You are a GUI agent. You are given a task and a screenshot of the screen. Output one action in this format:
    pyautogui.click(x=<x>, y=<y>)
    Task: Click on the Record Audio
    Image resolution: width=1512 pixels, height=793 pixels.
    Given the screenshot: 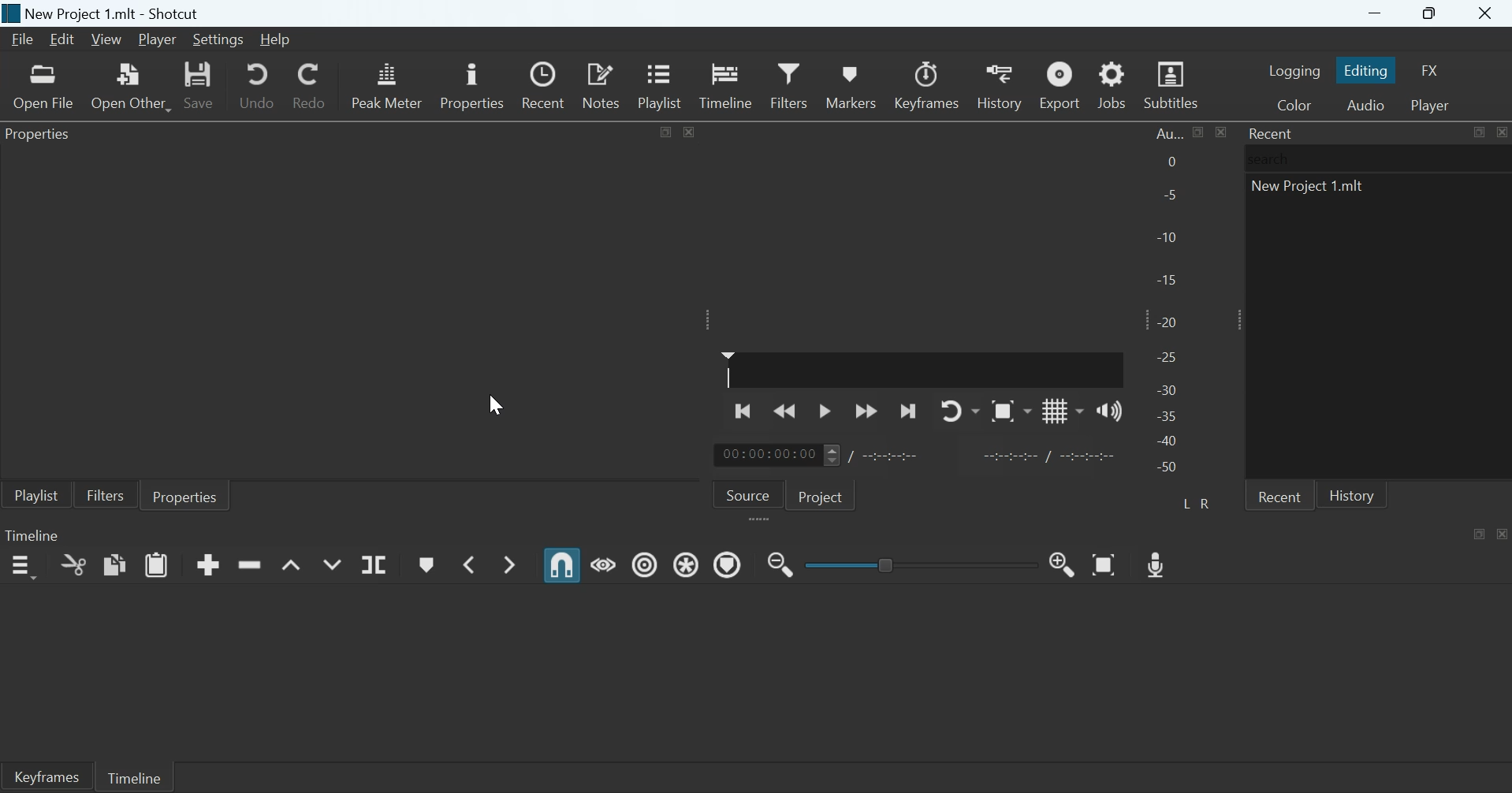 What is the action you would take?
    pyautogui.click(x=1158, y=563)
    